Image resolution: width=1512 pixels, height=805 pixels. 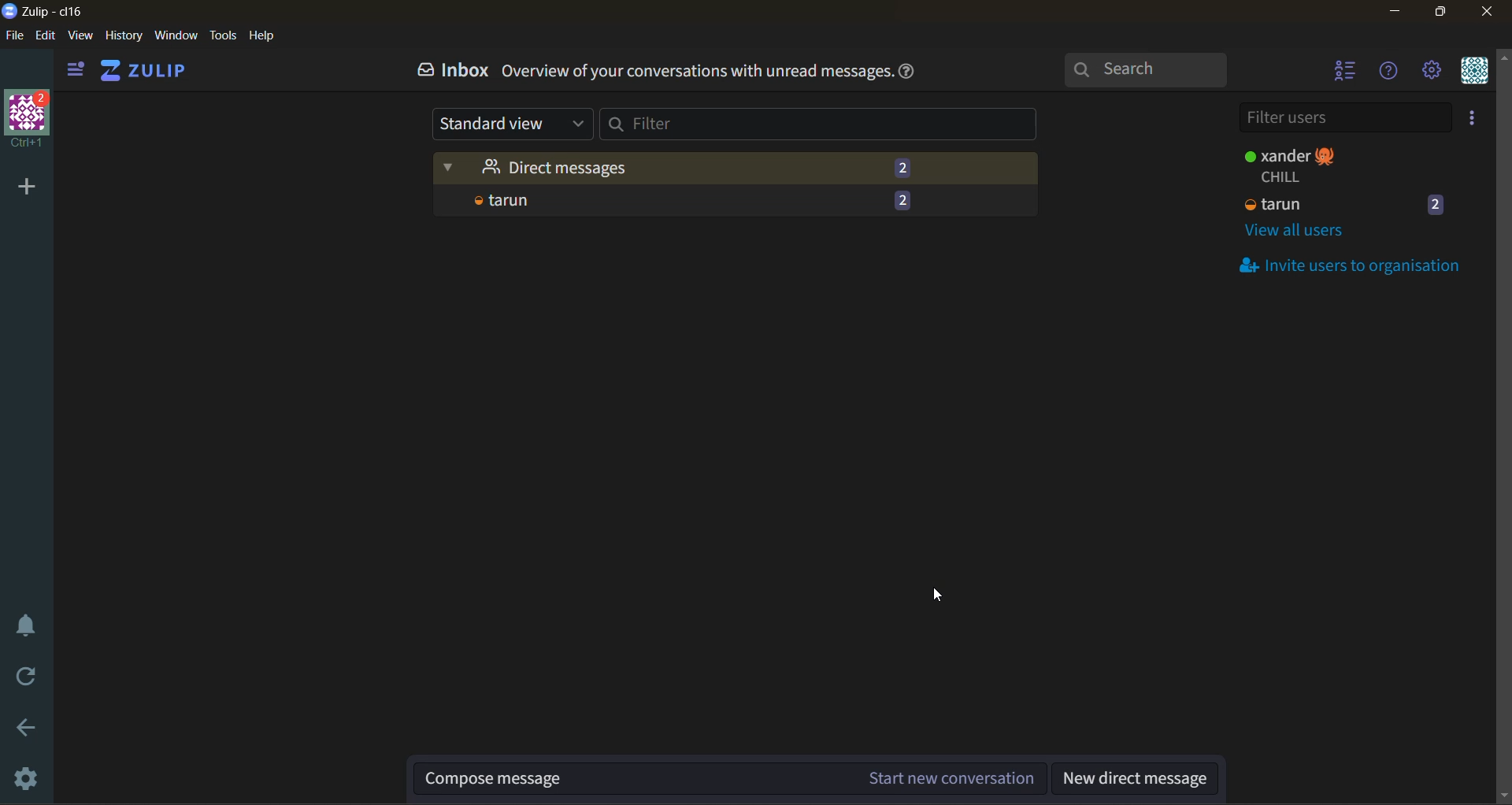 What do you see at coordinates (20, 37) in the screenshot?
I see `file` at bounding box center [20, 37].